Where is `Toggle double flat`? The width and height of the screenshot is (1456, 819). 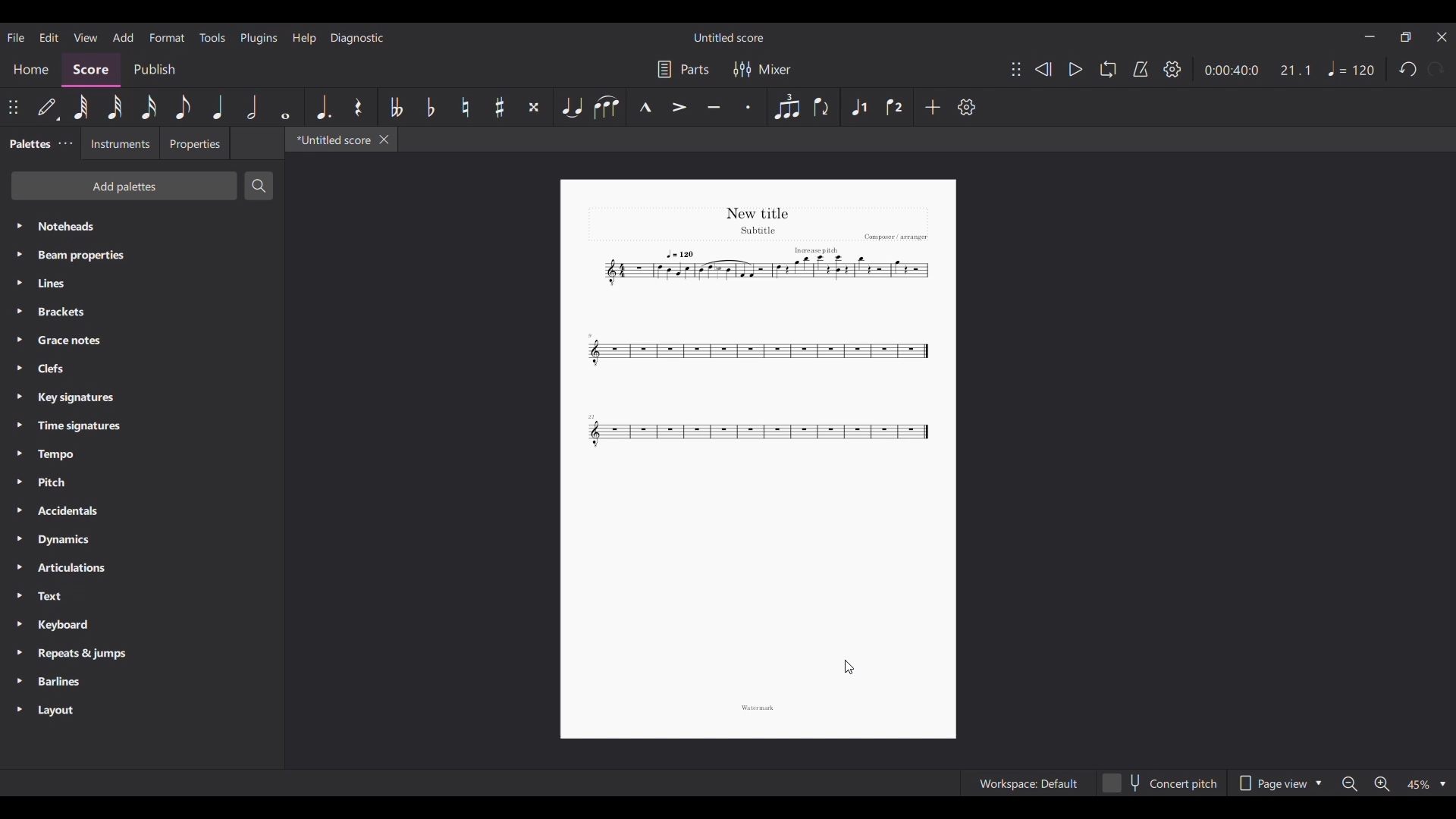
Toggle double flat is located at coordinates (395, 107).